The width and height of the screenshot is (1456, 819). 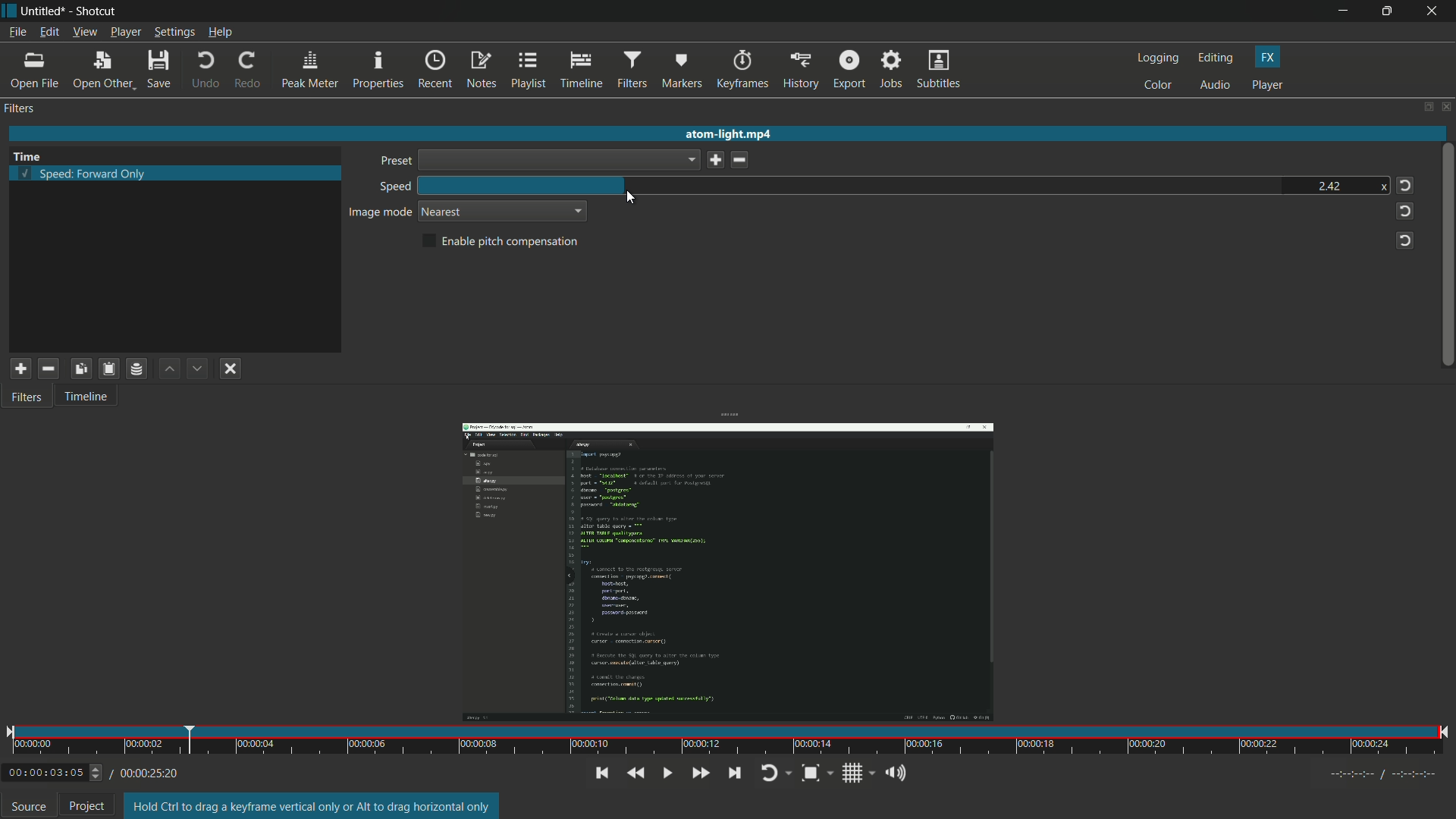 I want to click on recent, so click(x=435, y=71).